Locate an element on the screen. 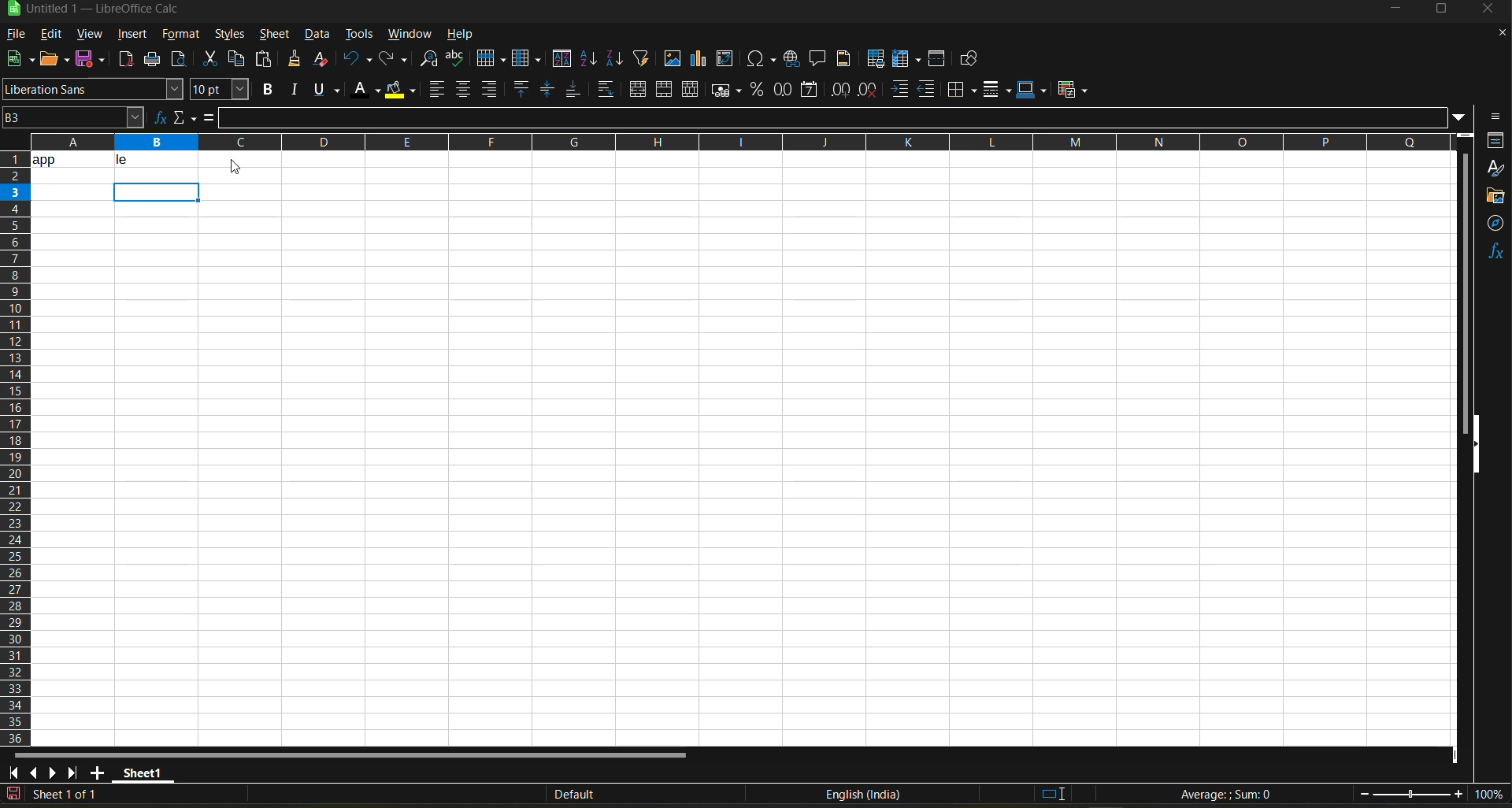  window is located at coordinates (405, 35).